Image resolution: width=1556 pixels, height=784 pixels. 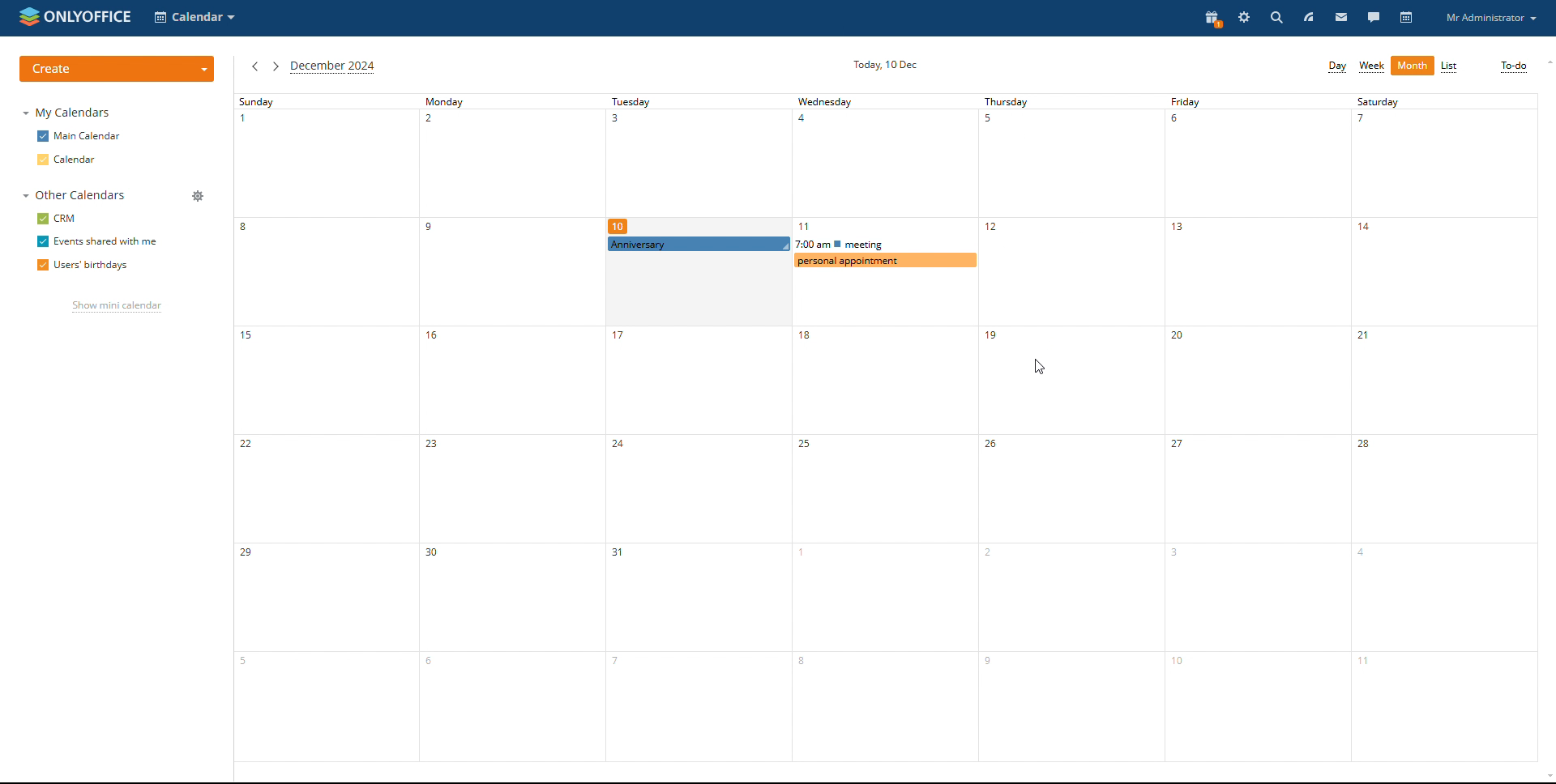 I want to click on onlyoffice logo, so click(x=28, y=19).